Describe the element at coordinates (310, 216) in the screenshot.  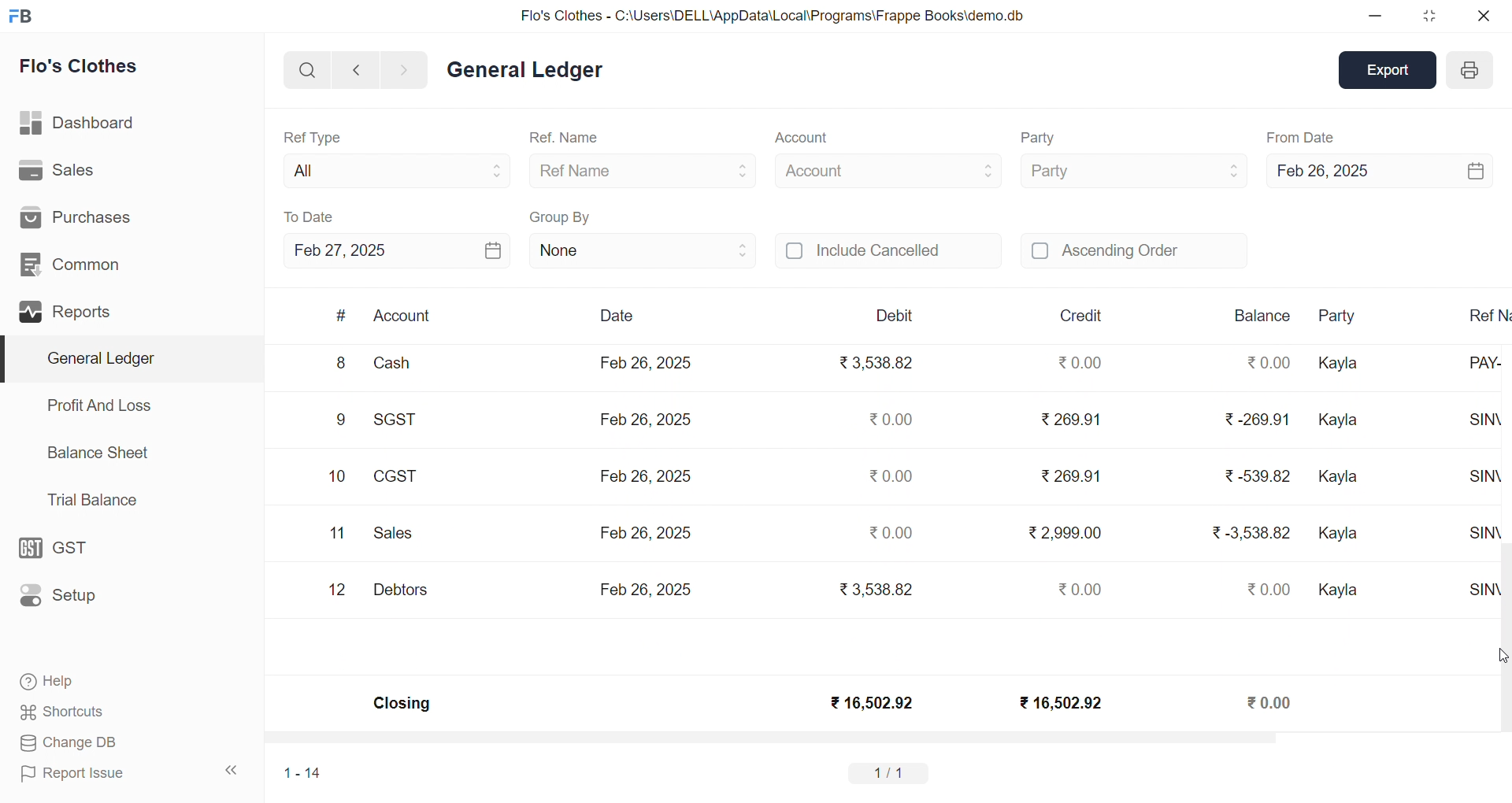
I see `To Date` at that location.